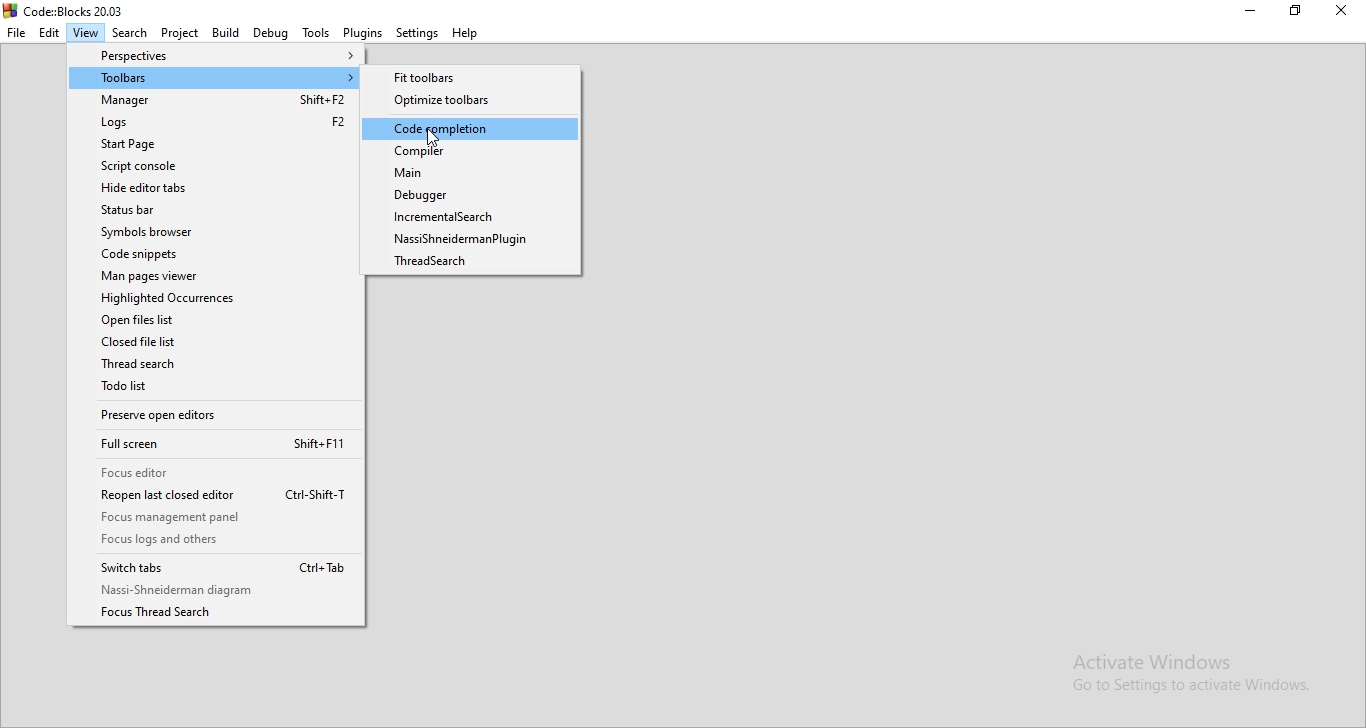 This screenshot has height=728, width=1366. I want to click on Hide editor tabs, so click(213, 189).